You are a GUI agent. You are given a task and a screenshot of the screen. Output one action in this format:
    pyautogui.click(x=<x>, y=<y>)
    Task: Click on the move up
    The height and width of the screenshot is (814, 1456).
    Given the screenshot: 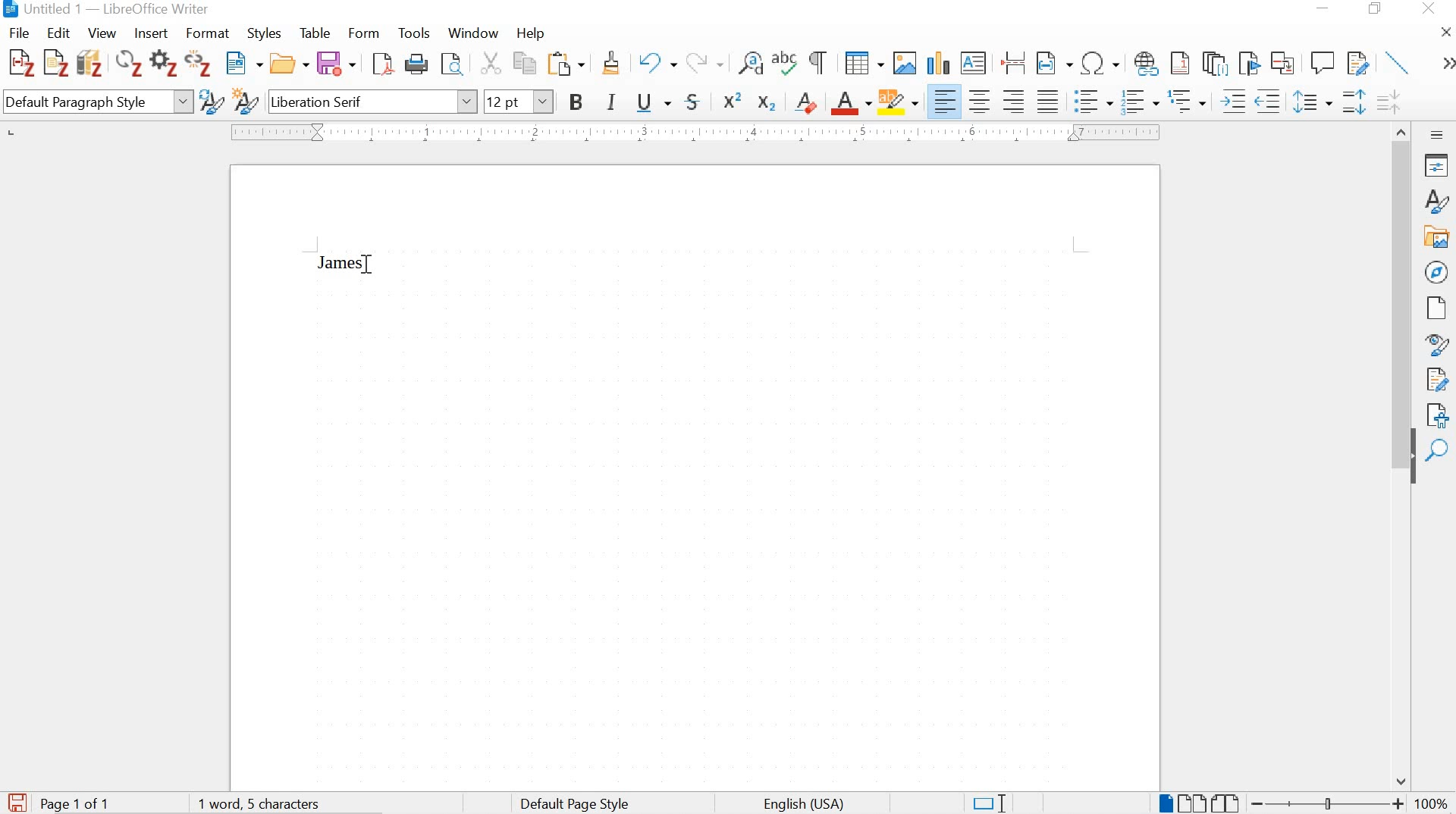 What is the action you would take?
    pyautogui.click(x=1403, y=129)
    